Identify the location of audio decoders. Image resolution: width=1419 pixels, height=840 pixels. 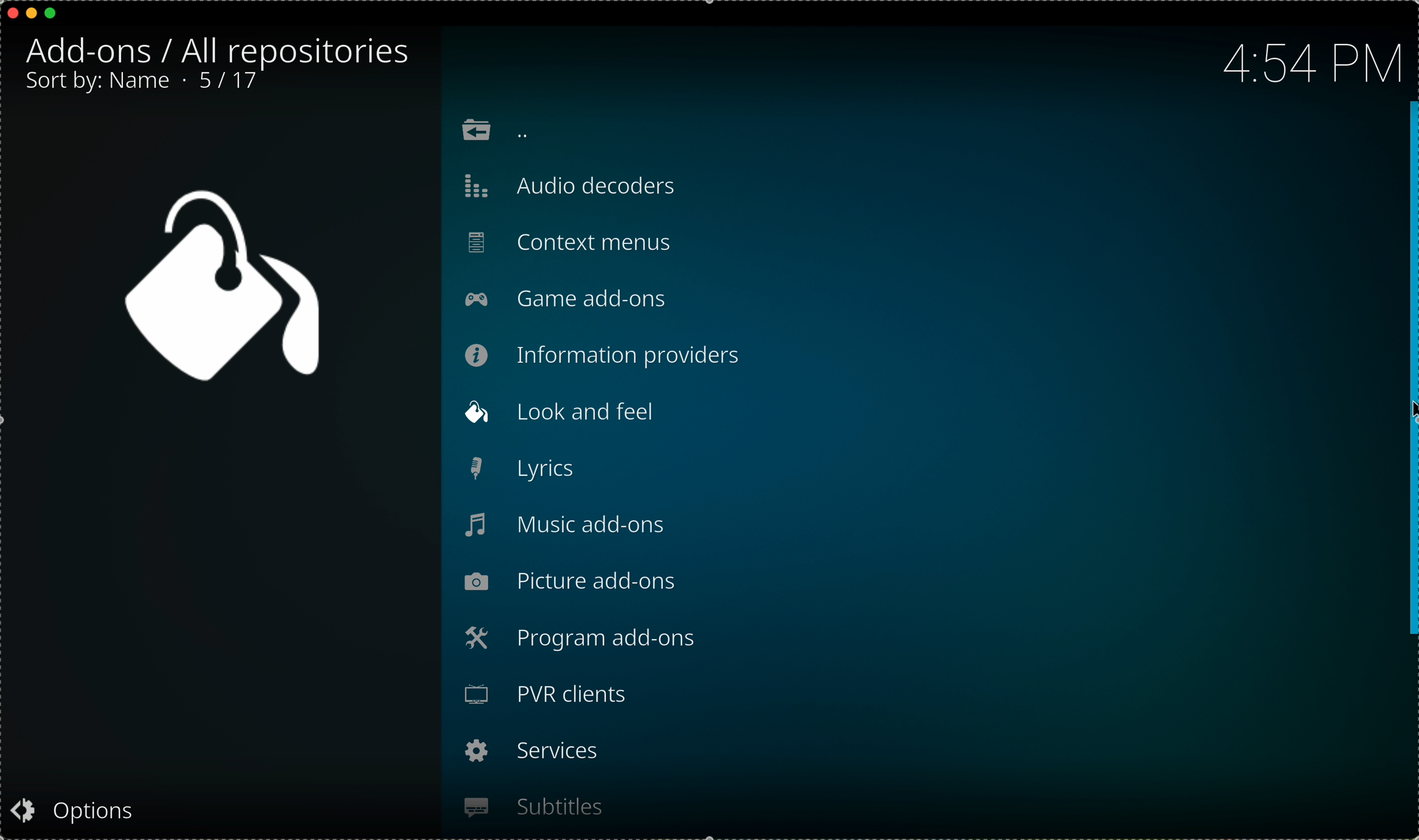
(574, 187).